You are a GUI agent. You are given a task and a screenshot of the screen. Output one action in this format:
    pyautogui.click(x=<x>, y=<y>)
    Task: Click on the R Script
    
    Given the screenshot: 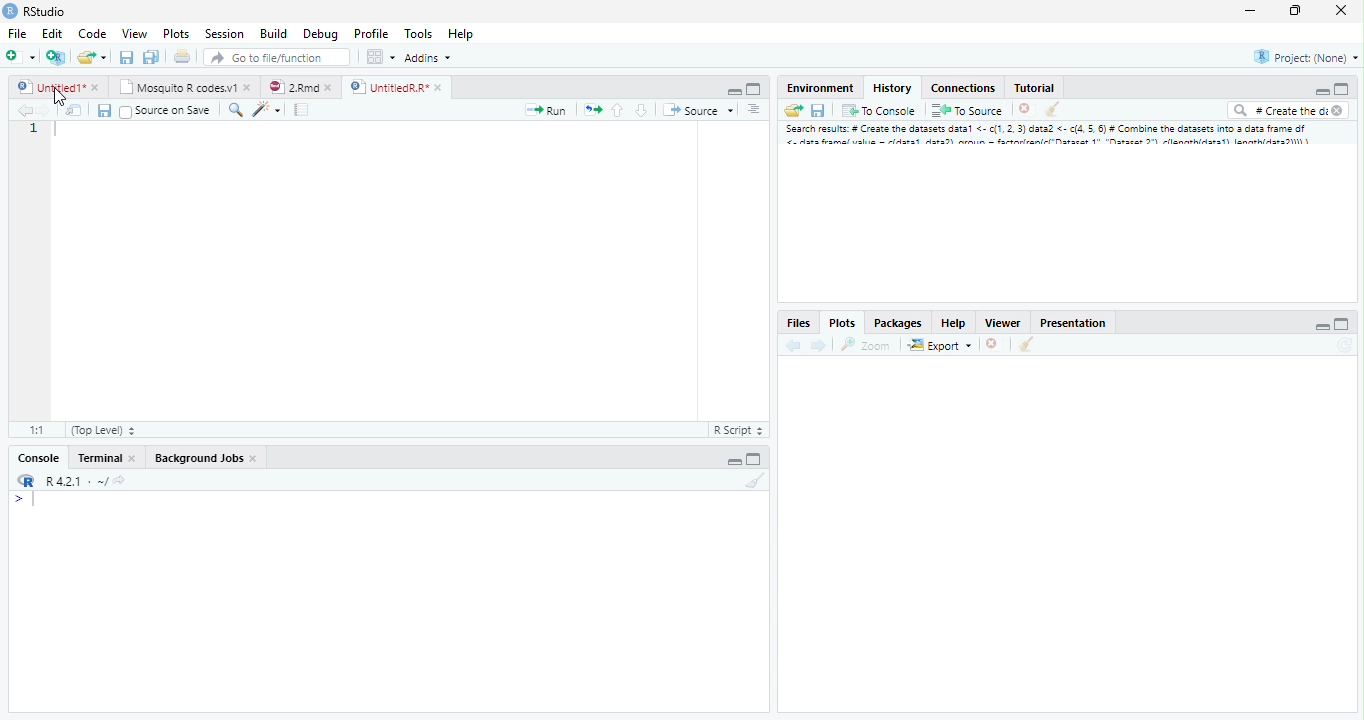 What is the action you would take?
    pyautogui.click(x=738, y=430)
    